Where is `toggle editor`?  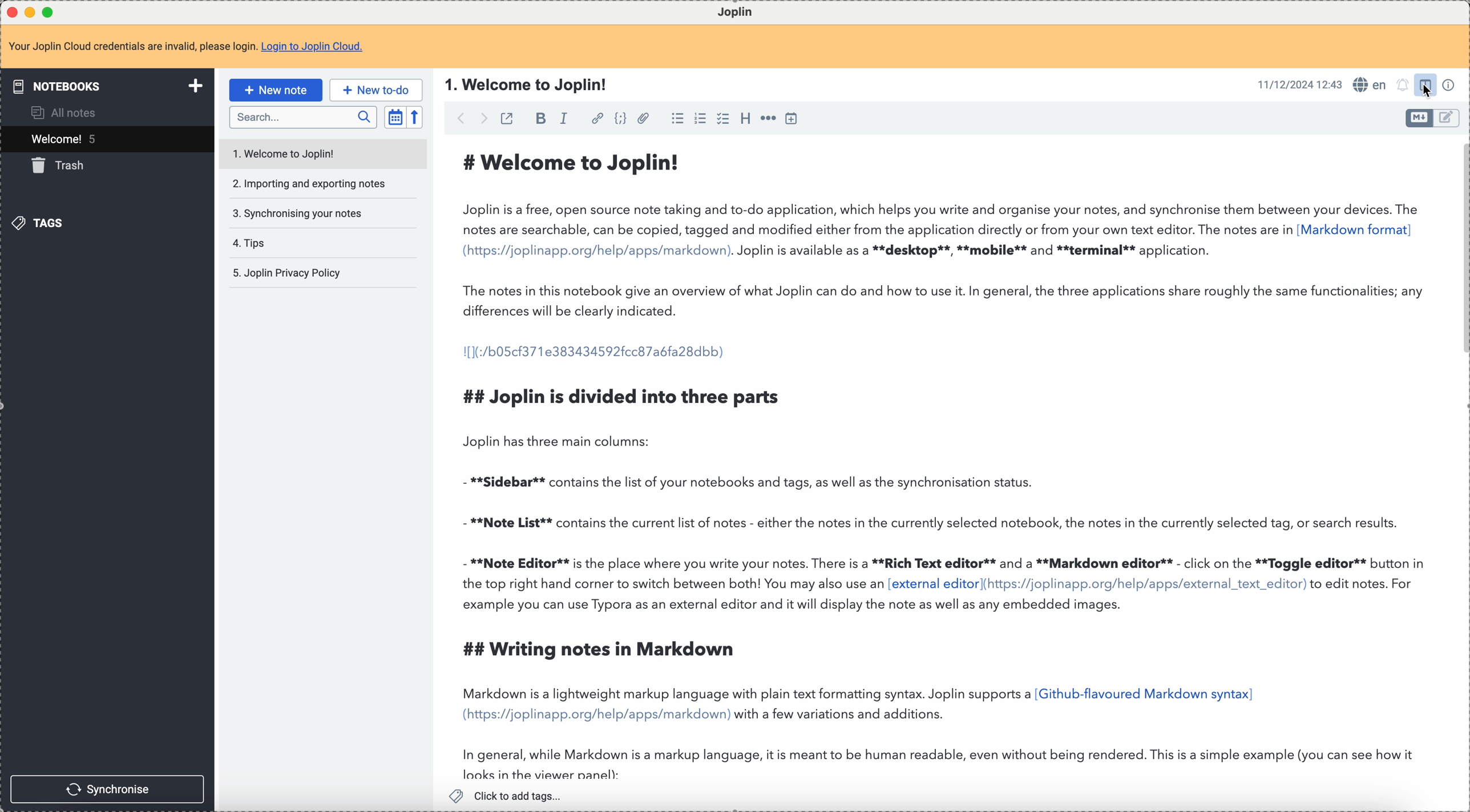
toggle editor is located at coordinates (1449, 119).